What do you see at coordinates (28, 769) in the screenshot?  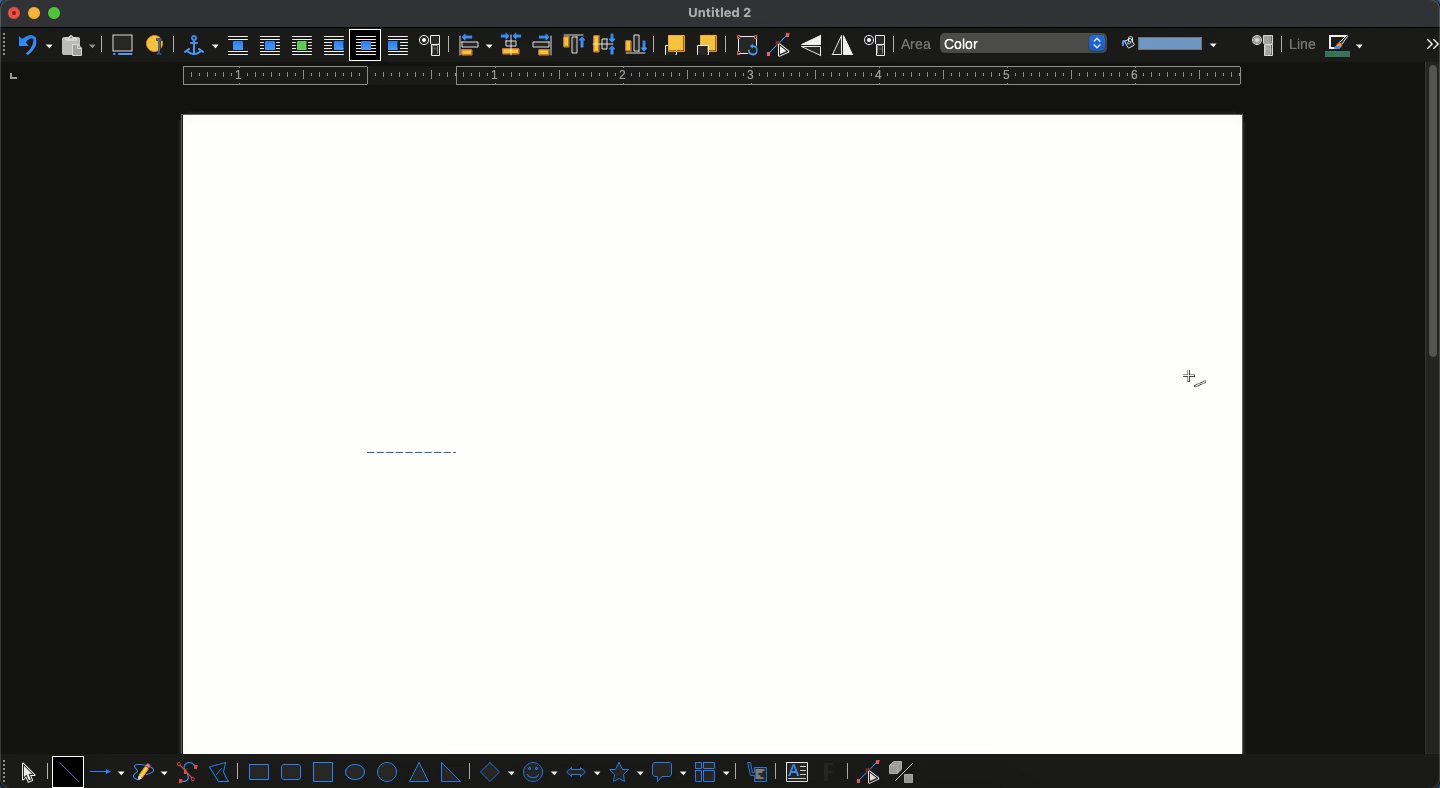 I see `select` at bounding box center [28, 769].